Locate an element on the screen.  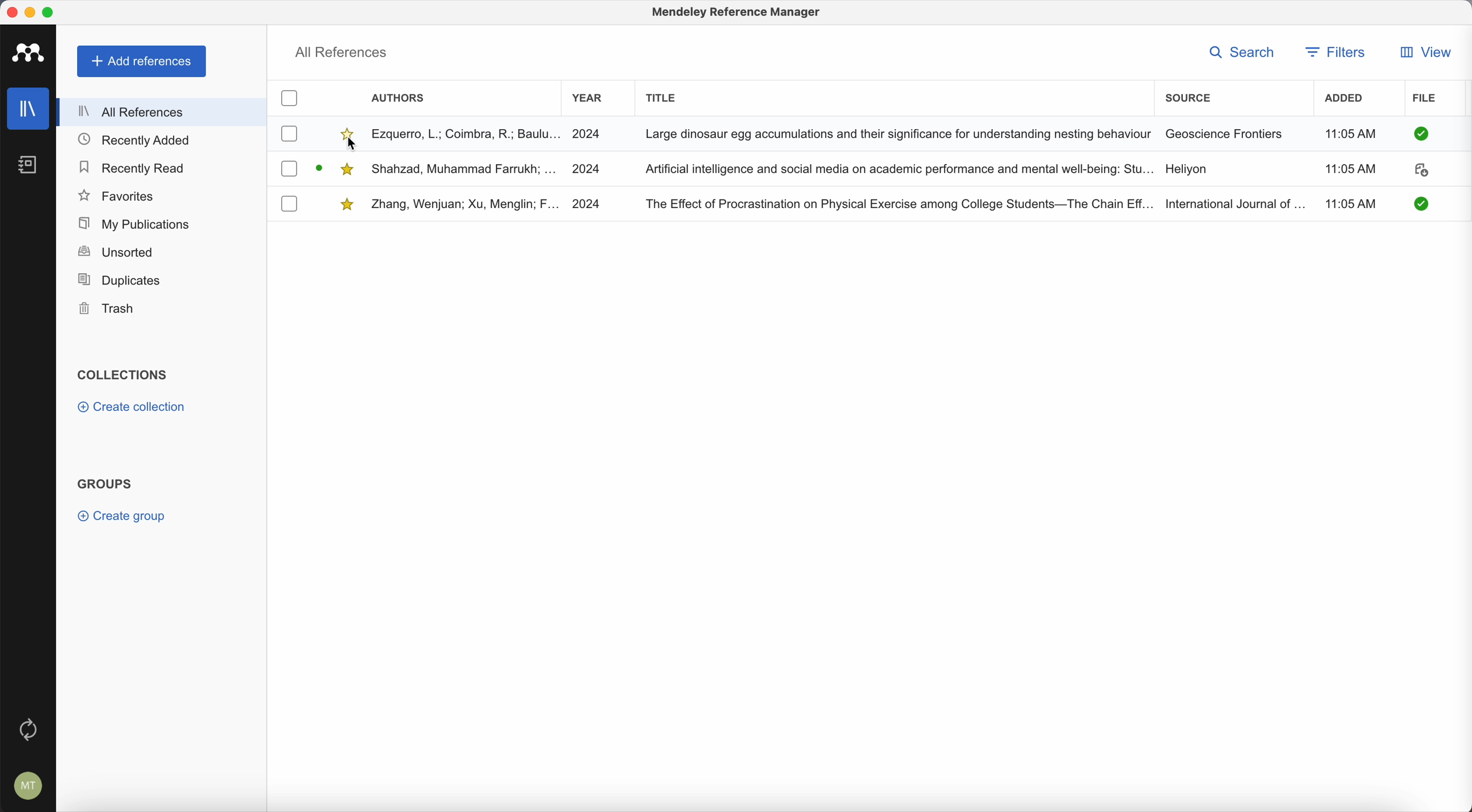
checkbox is located at coordinates (289, 133).